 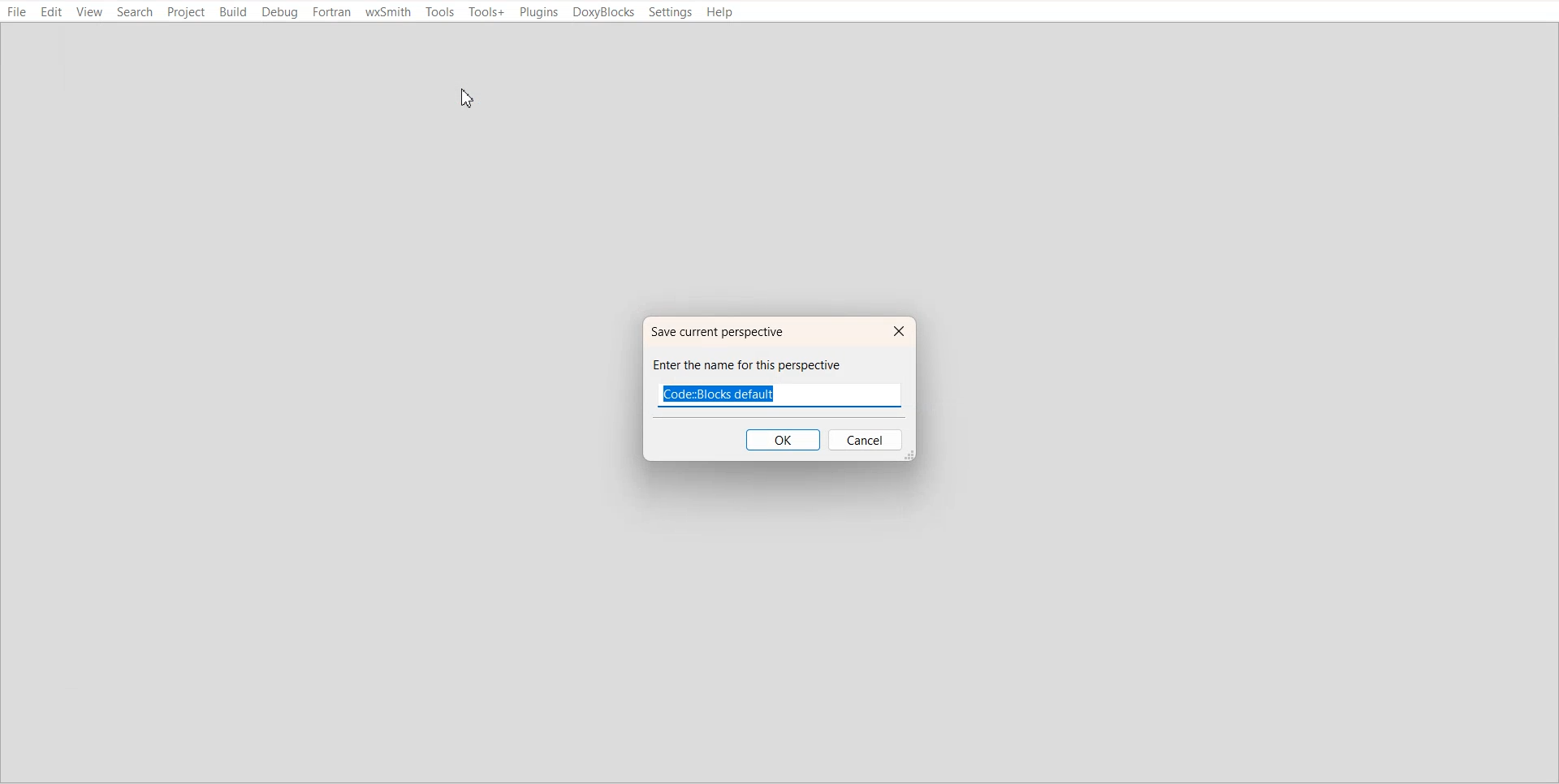 I want to click on Cancel, so click(x=867, y=441).